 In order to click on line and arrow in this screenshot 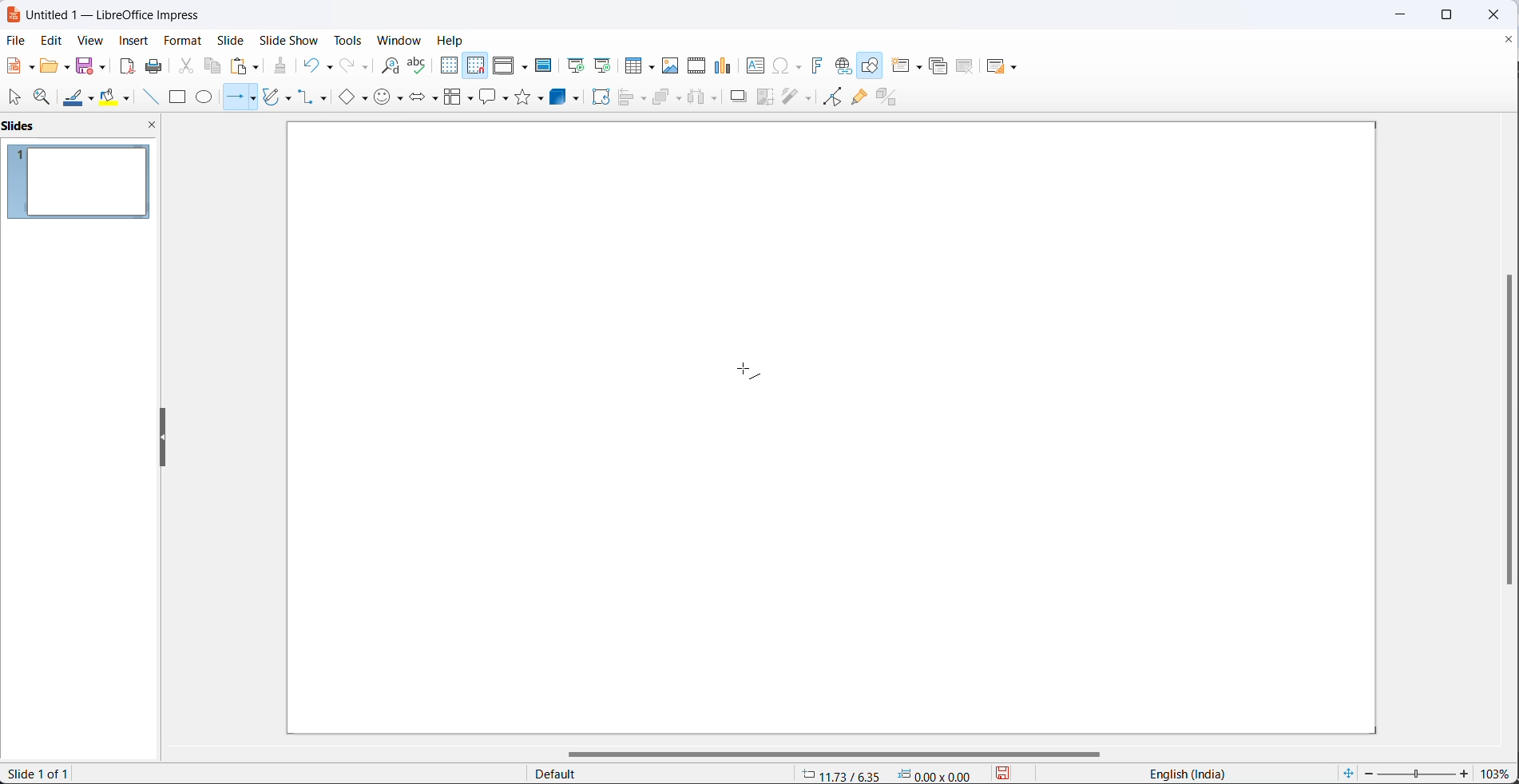, I will do `click(232, 98)`.